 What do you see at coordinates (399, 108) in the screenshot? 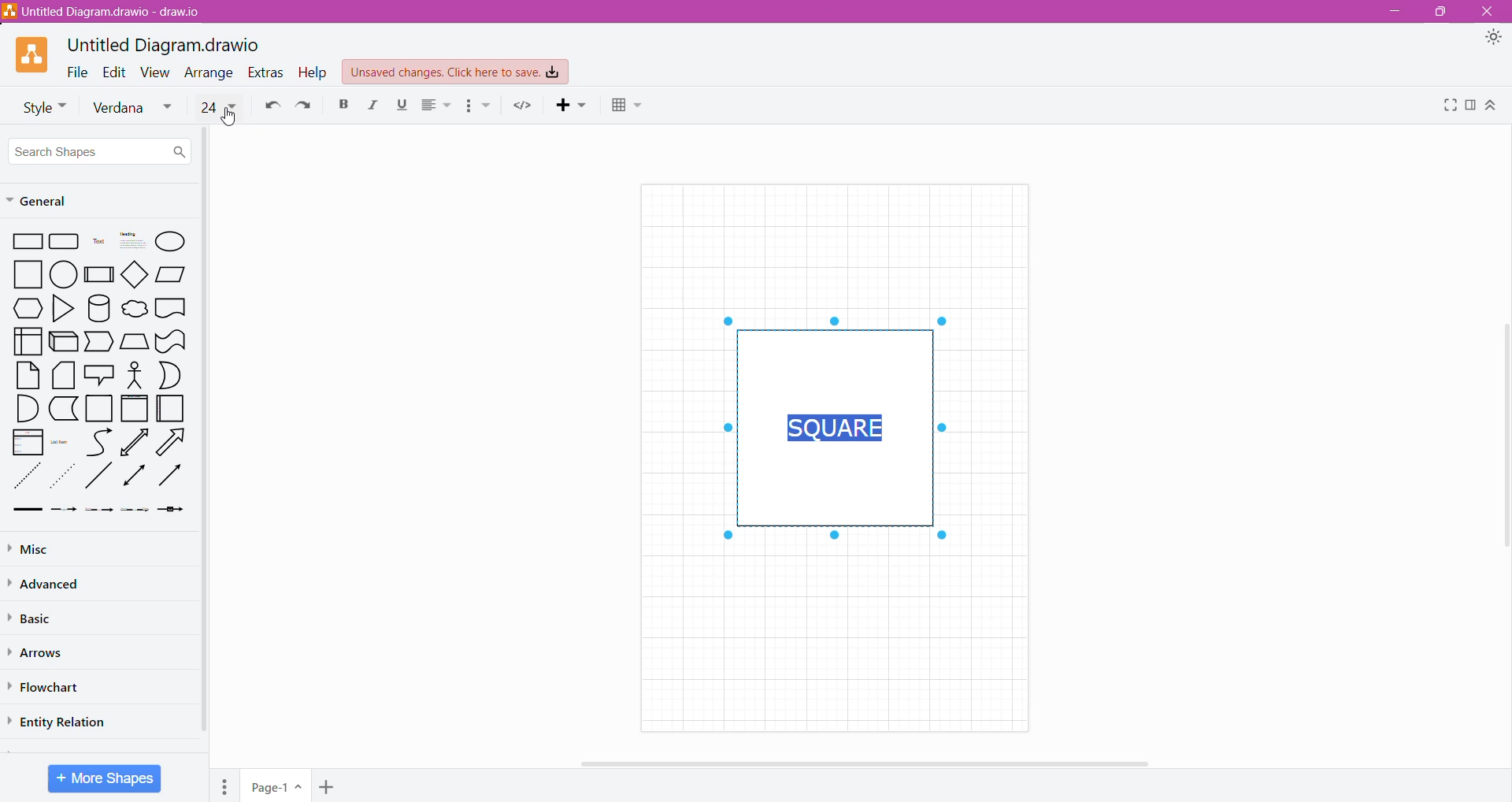
I see `Underline` at bounding box center [399, 108].